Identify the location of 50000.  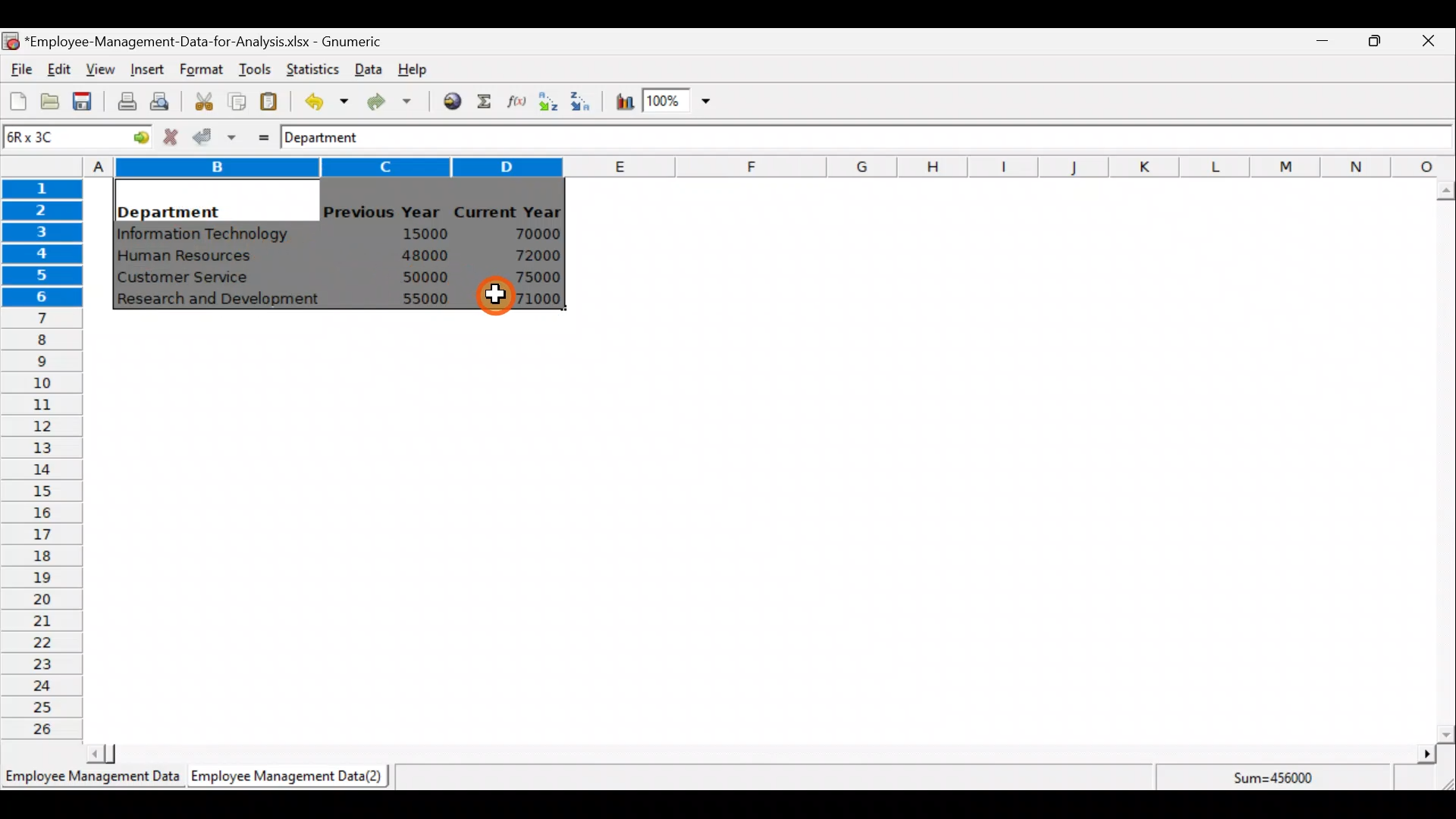
(429, 277).